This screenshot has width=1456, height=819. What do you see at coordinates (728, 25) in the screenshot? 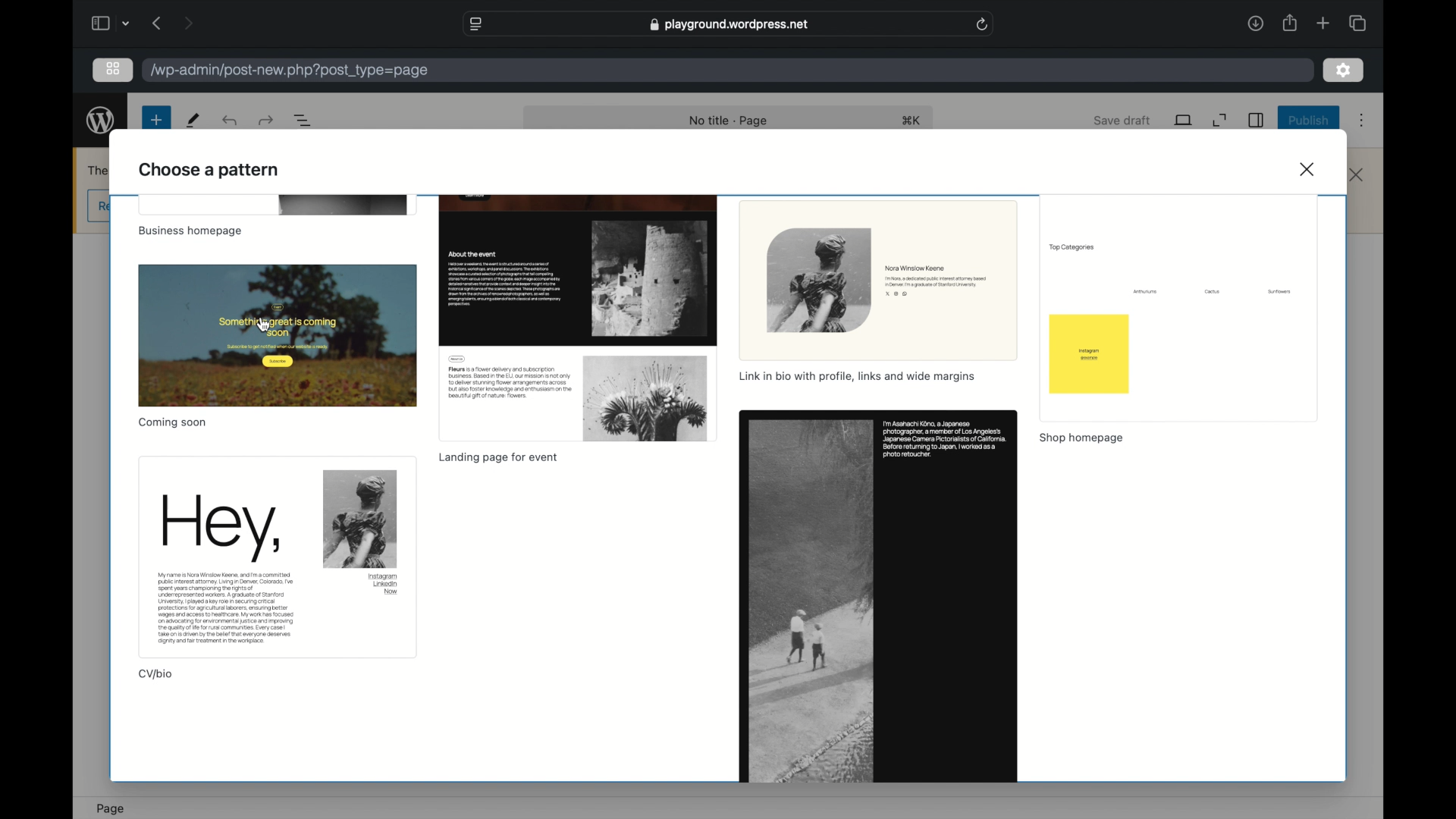
I see `web address` at bounding box center [728, 25].